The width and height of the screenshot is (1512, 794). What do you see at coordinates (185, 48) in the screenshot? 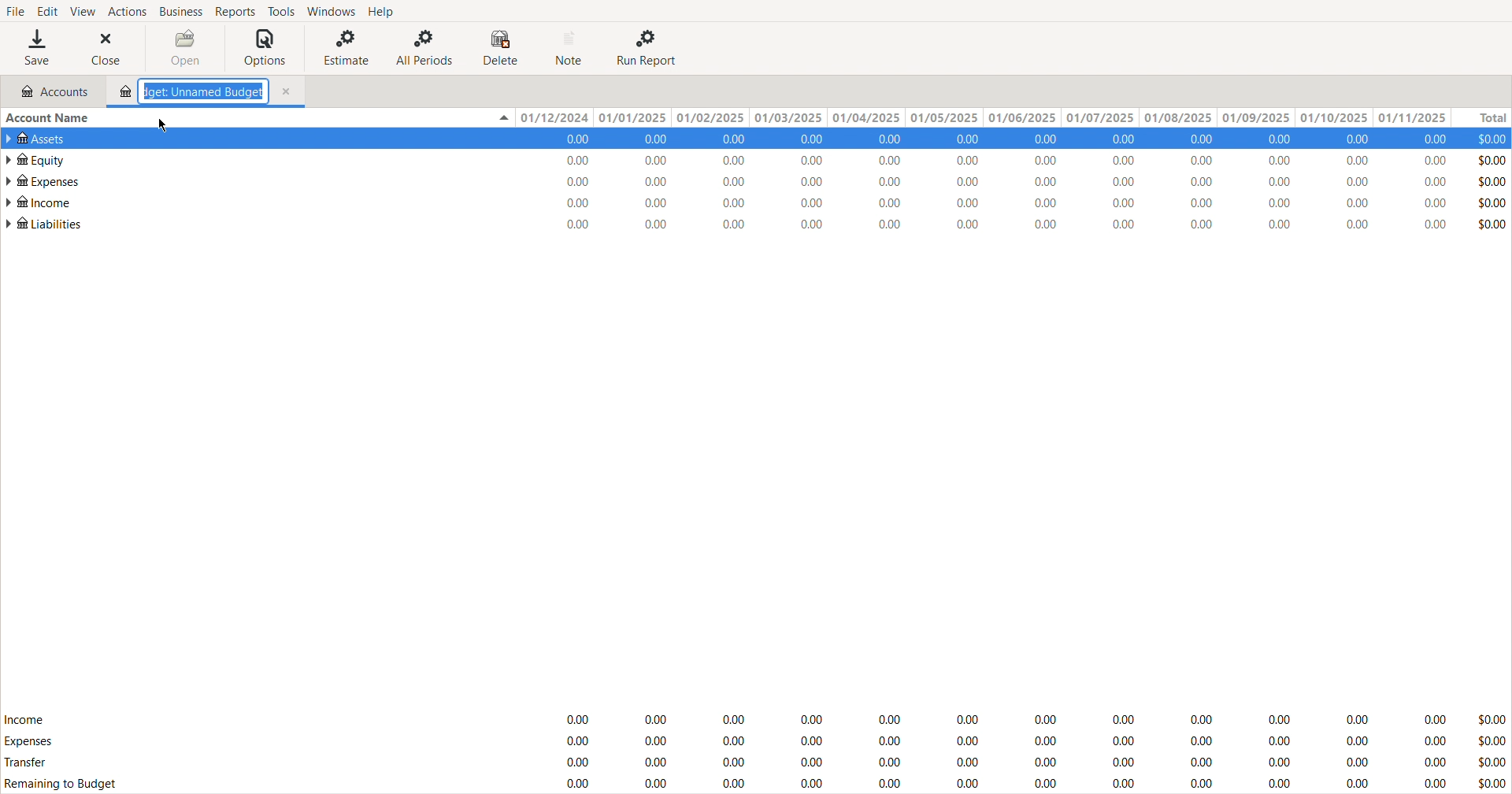
I see `Open` at bounding box center [185, 48].